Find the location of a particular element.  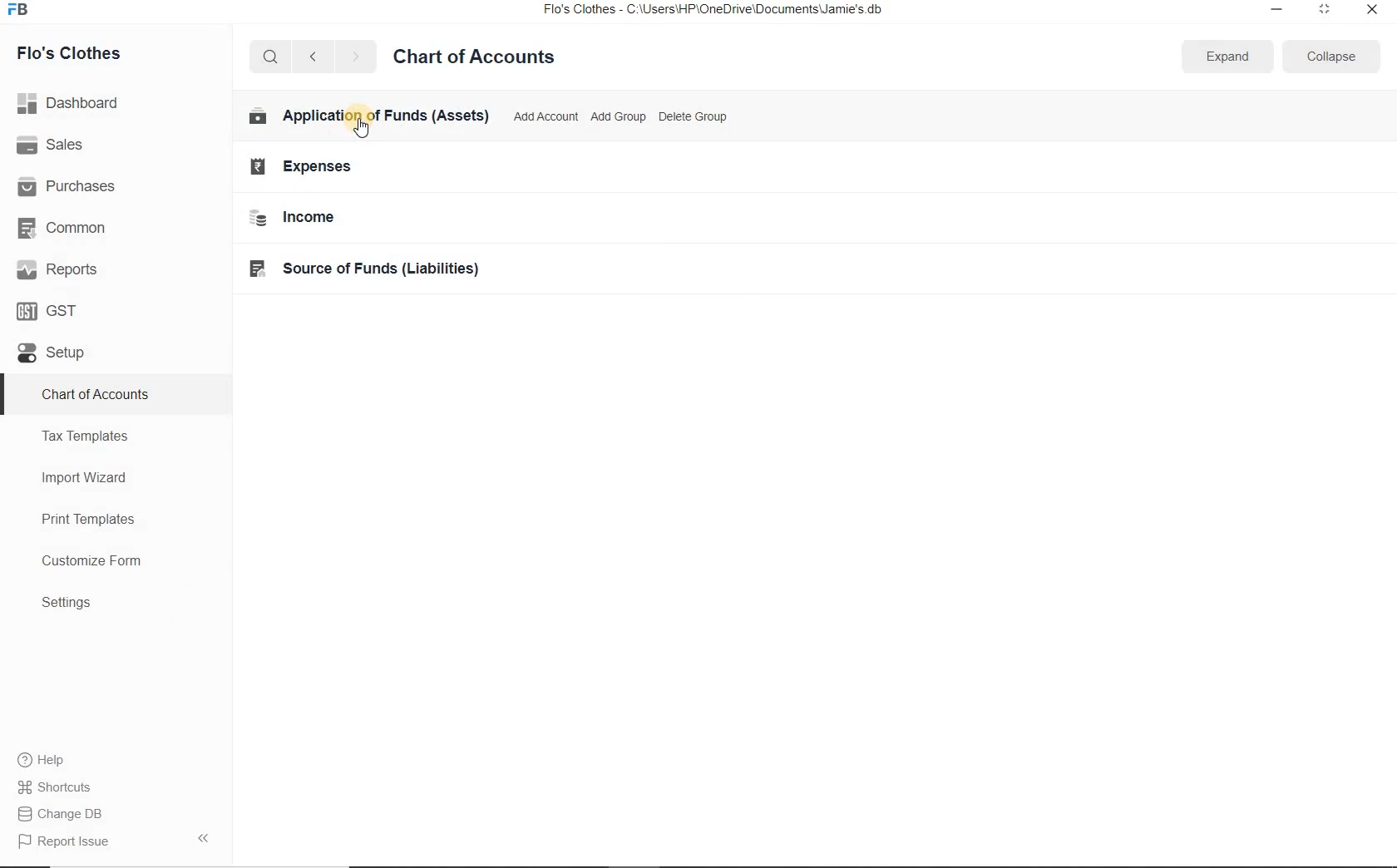

GST is located at coordinates (54, 309).